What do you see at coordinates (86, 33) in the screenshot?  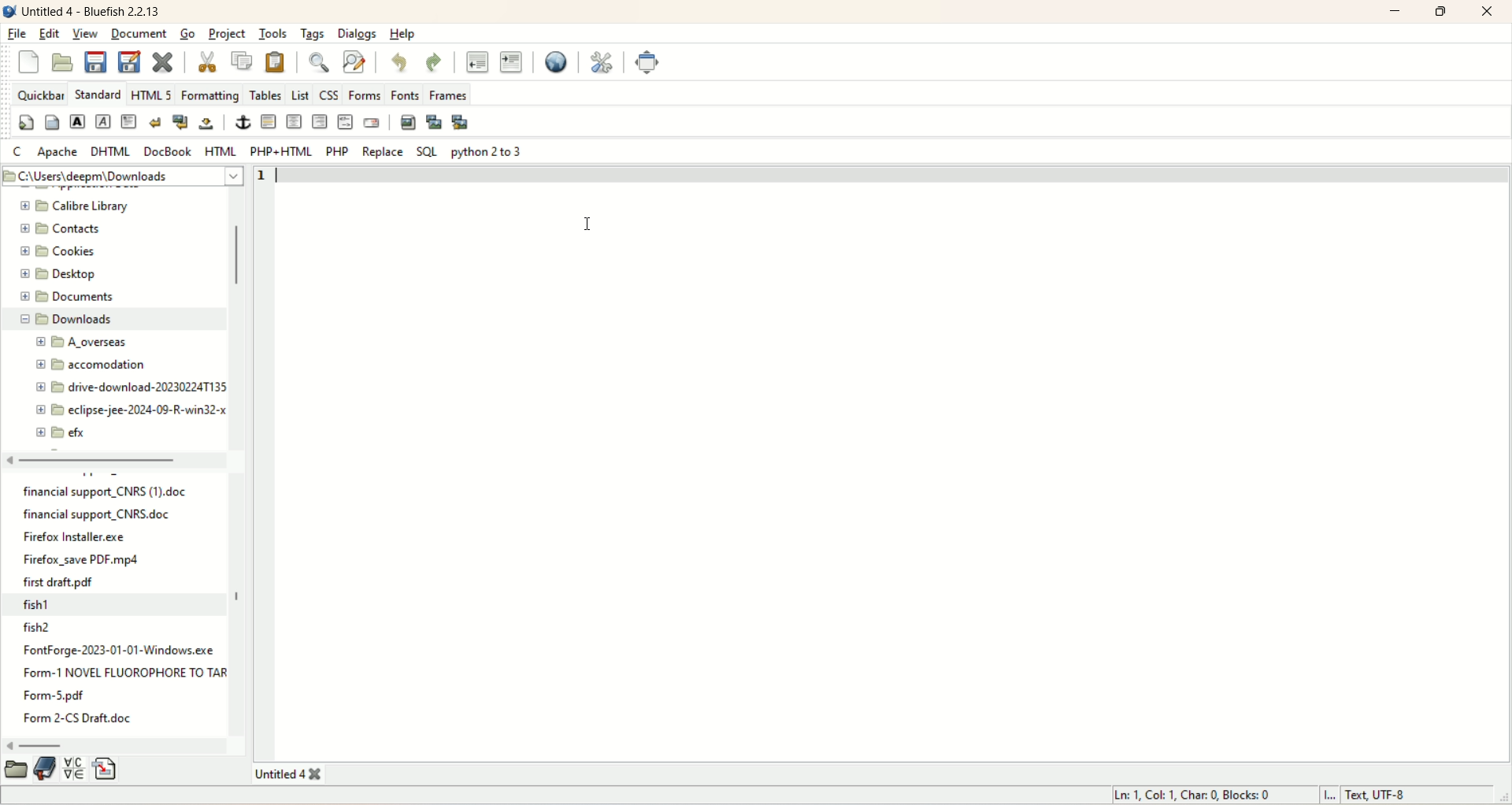 I see `view` at bounding box center [86, 33].